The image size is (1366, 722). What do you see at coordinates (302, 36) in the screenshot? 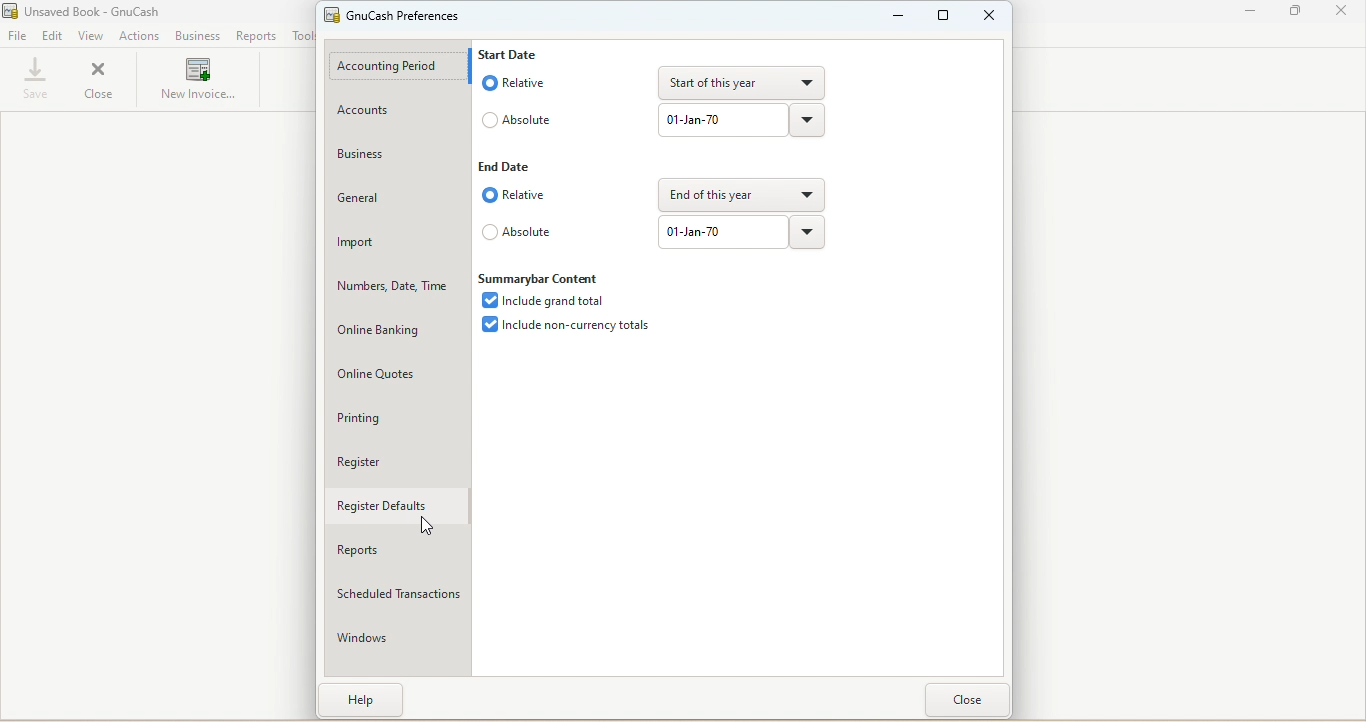
I see `Tools` at bounding box center [302, 36].